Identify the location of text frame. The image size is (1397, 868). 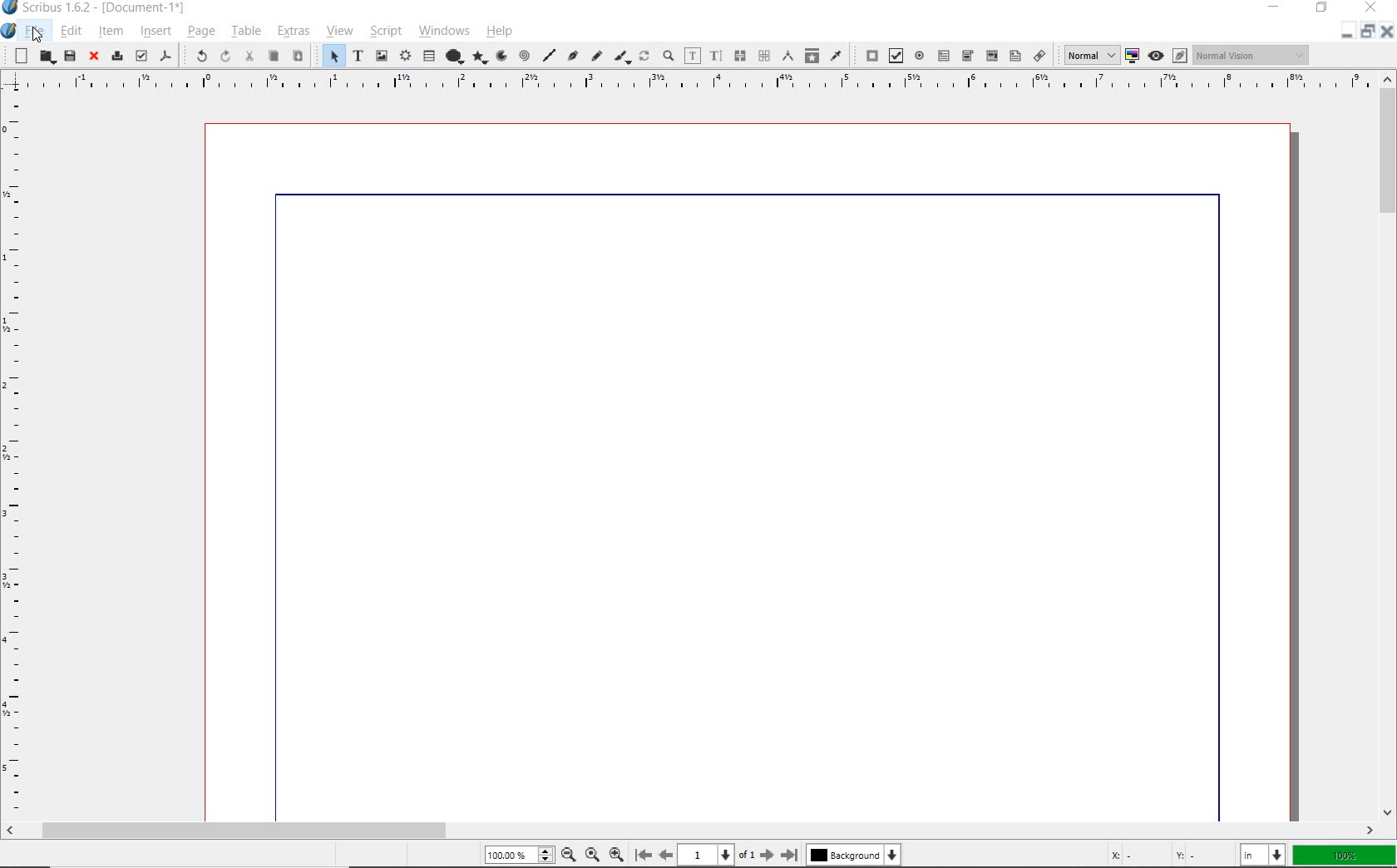
(358, 55).